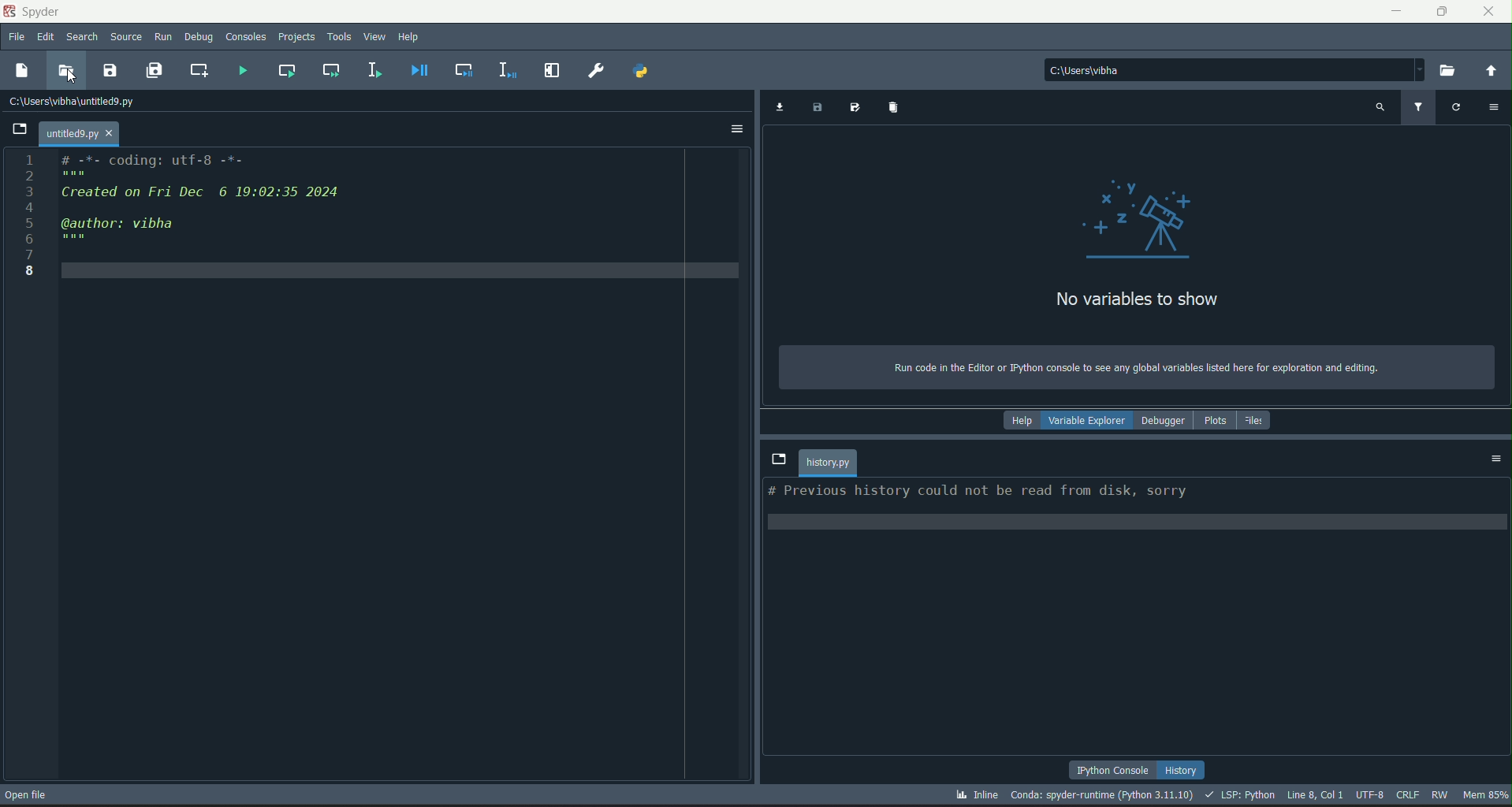 The height and width of the screenshot is (807, 1512). What do you see at coordinates (646, 72) in the screenshot?
I see `pythonpath manager` at bounding box center [646, 72].